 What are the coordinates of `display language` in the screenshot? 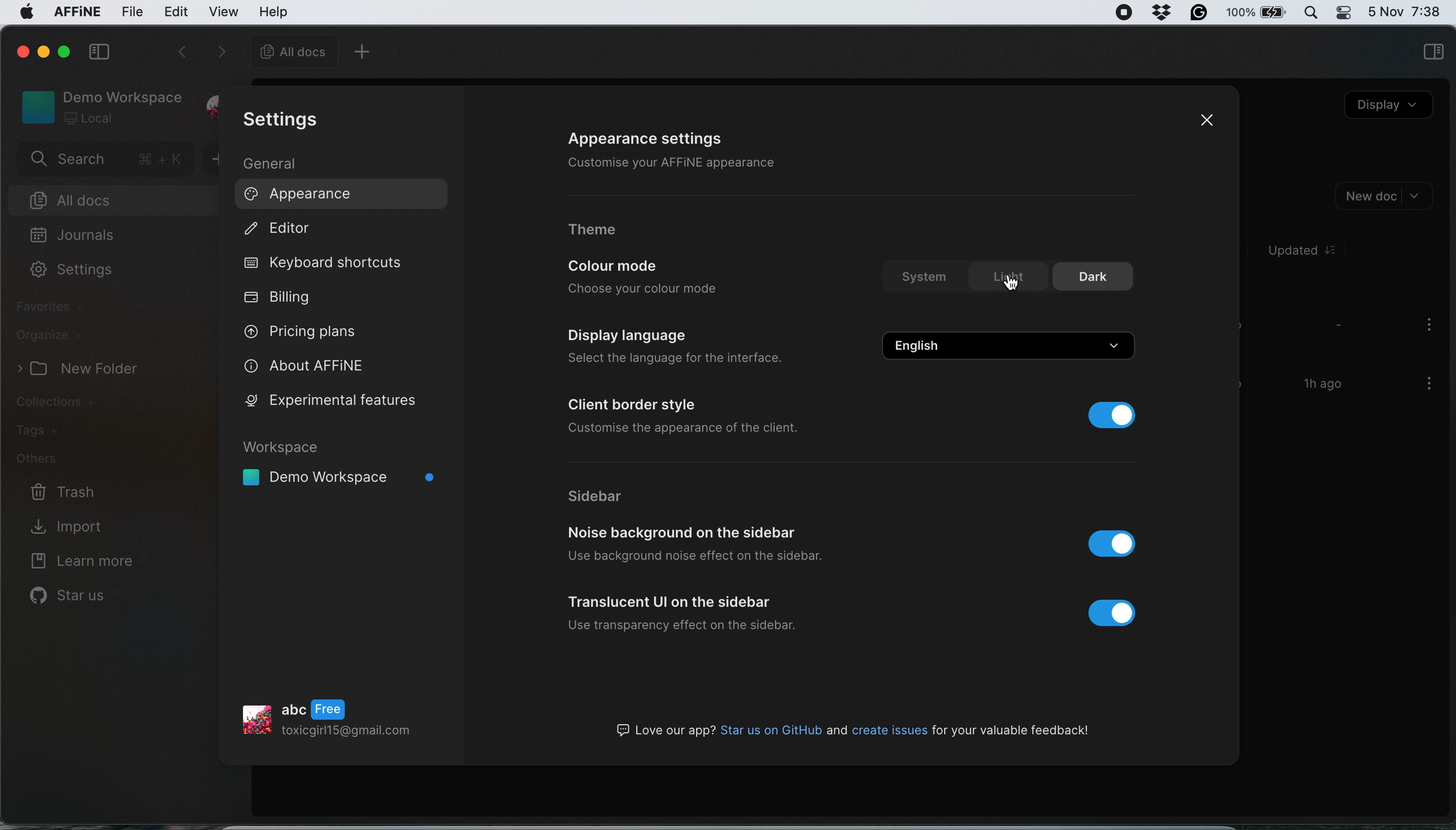 It's located at (627, 336).